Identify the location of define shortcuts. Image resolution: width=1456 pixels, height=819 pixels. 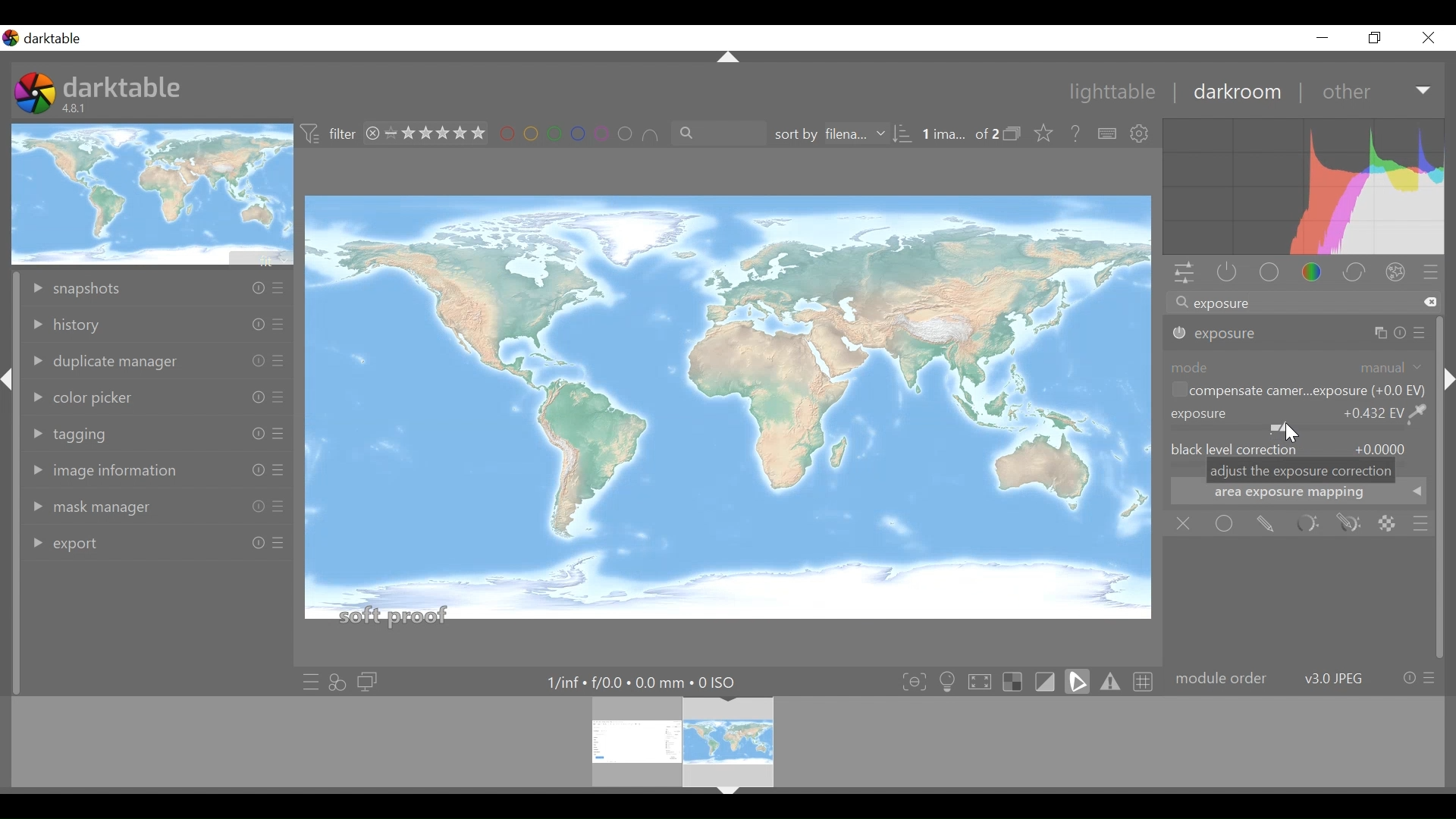
(1108, 134).